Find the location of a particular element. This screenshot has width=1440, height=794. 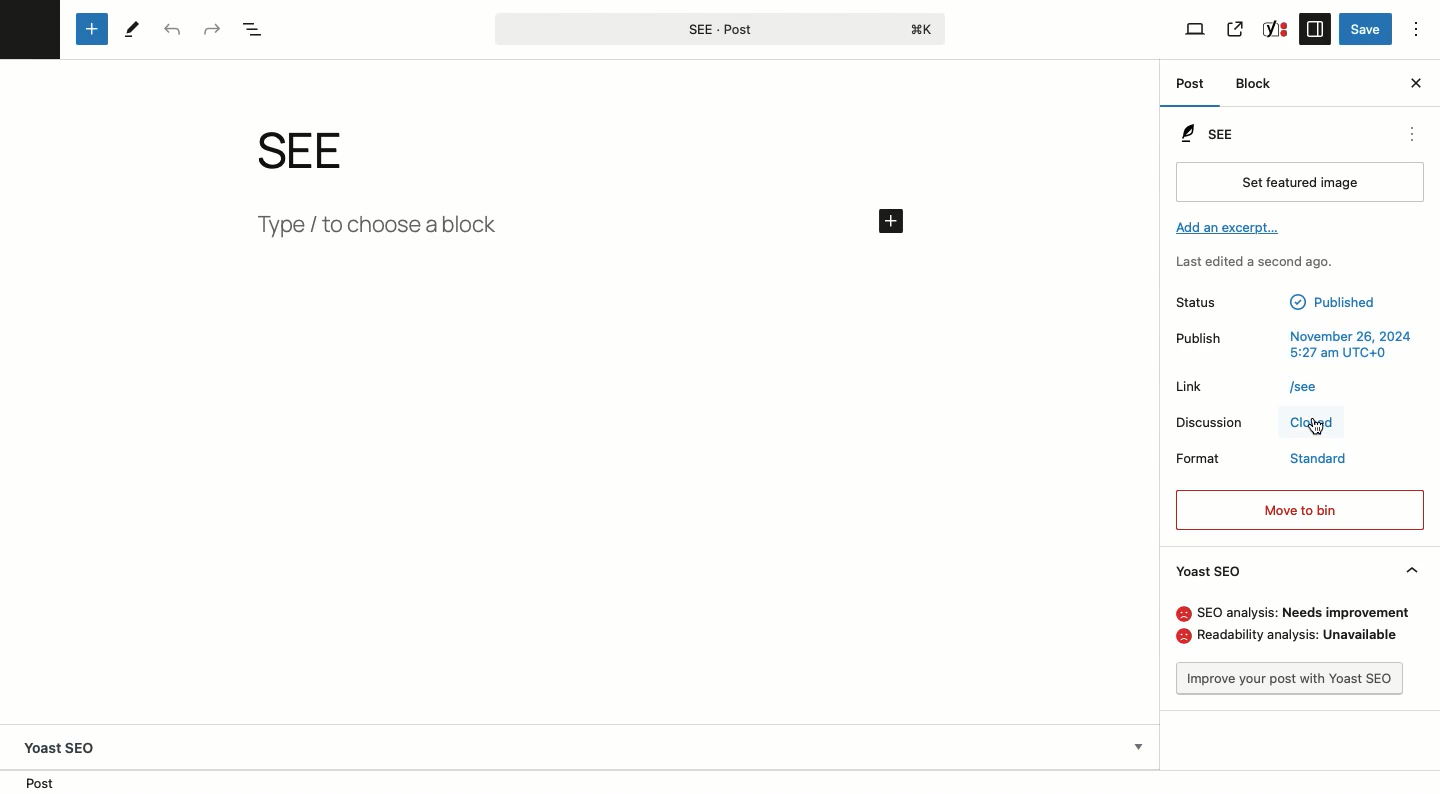

Status published is located at coordinates (1282, 302).